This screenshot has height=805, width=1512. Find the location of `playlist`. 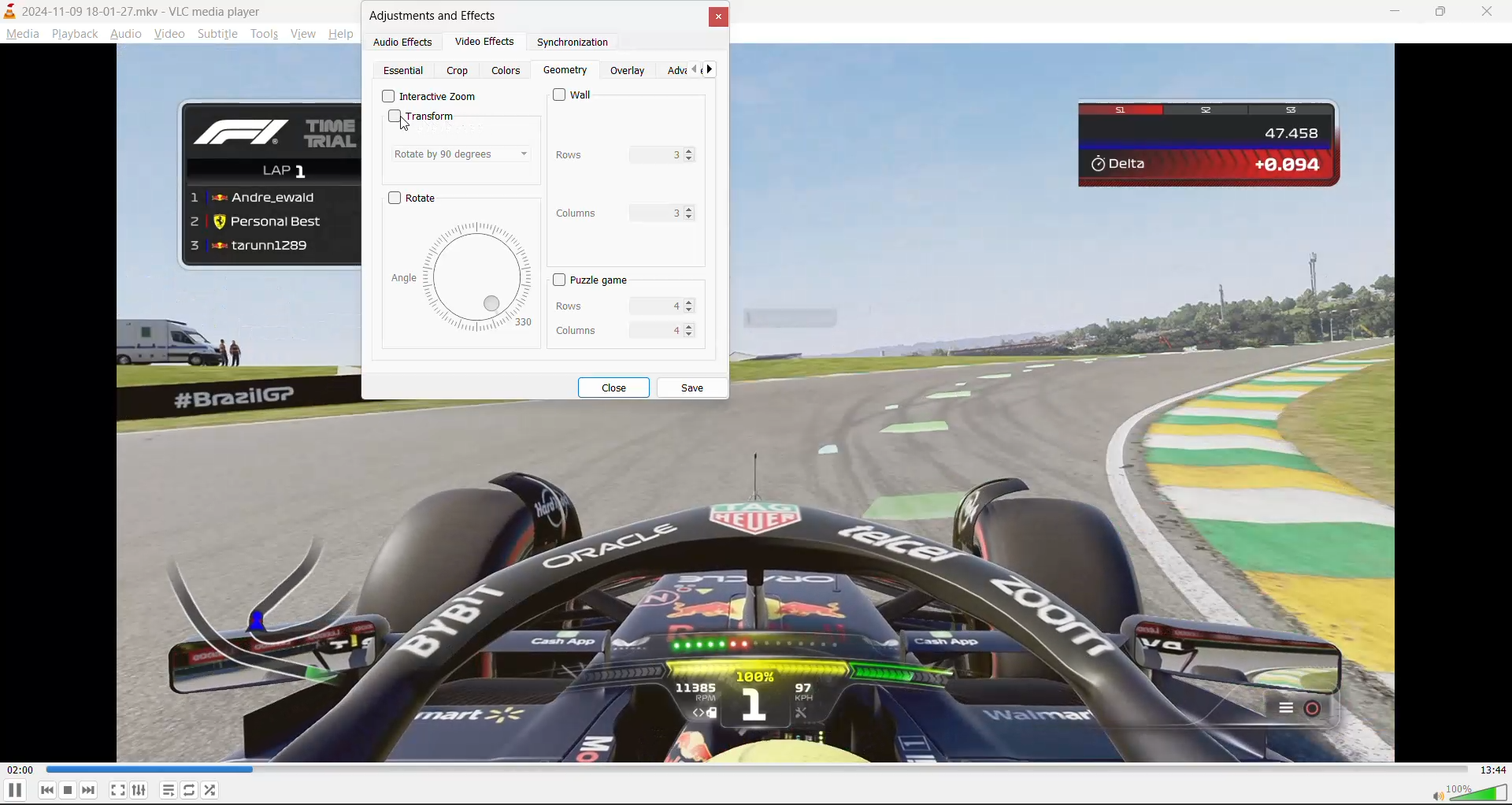

playlist is located at coordinates (169, 790).